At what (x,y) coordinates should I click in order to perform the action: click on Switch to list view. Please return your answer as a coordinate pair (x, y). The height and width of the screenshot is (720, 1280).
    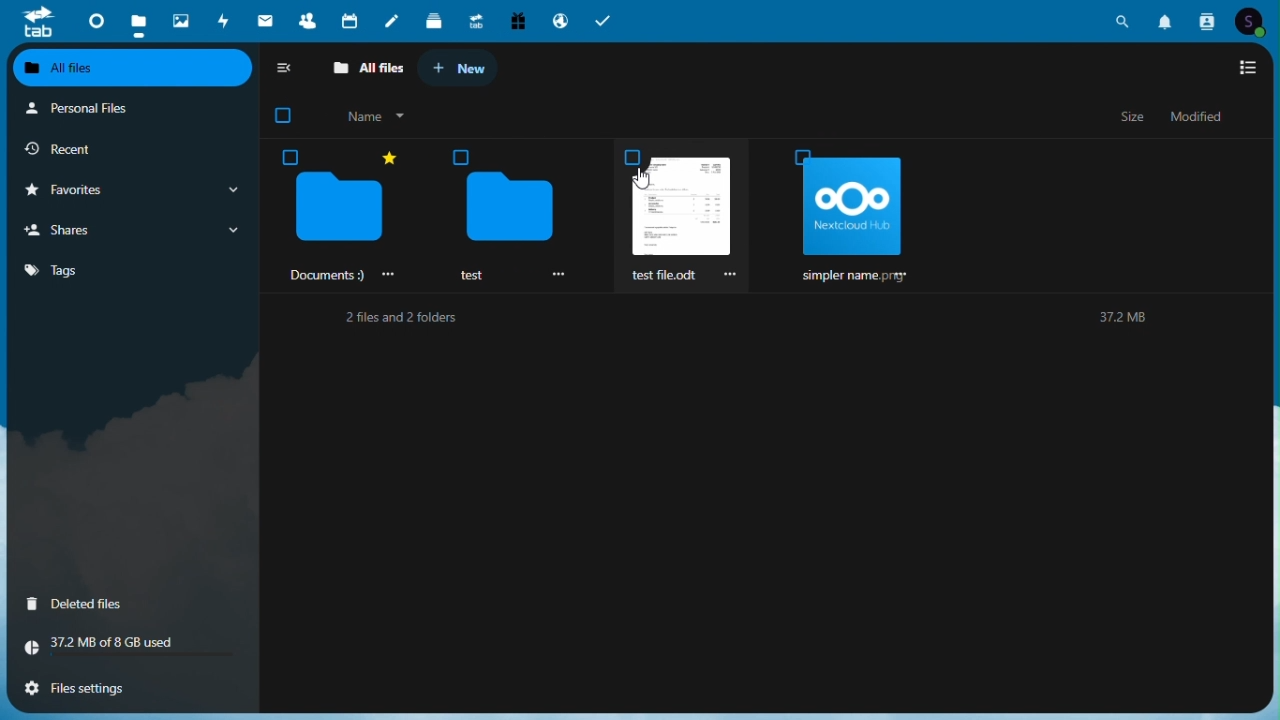
    Looking at the image, I should click on (1243, 67).